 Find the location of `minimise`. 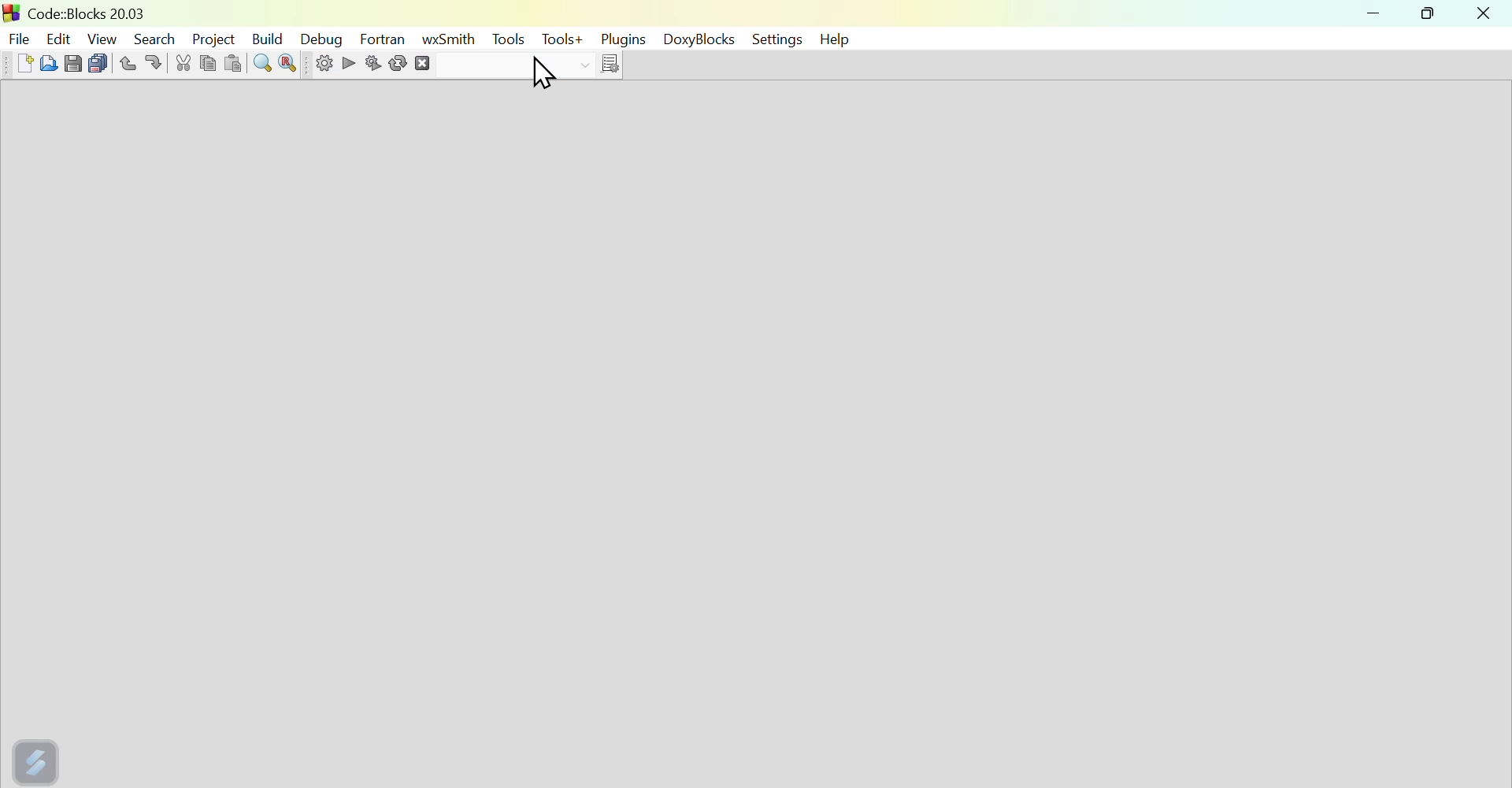

minimise is located at coordinates (1376, 16).